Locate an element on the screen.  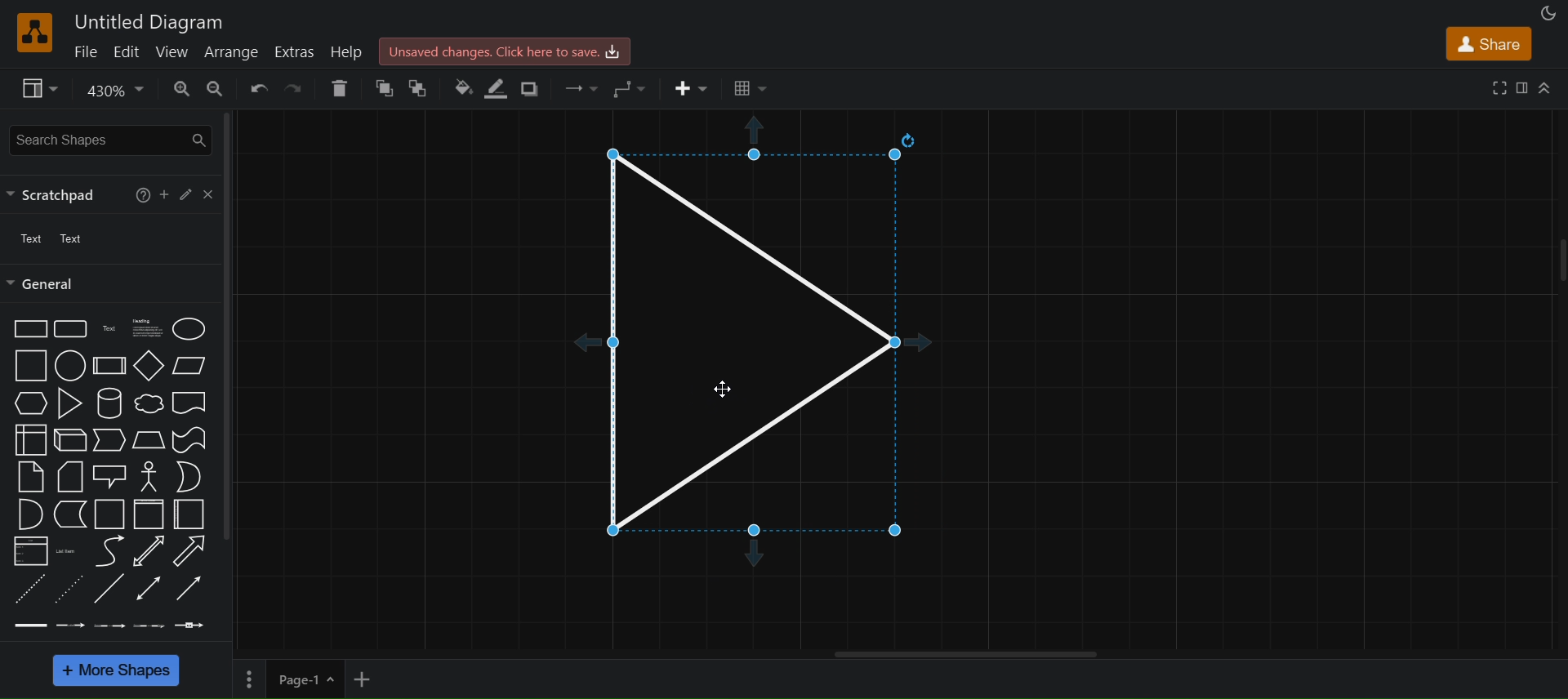
triangle snap to grid is located at coordinates (761, 349).